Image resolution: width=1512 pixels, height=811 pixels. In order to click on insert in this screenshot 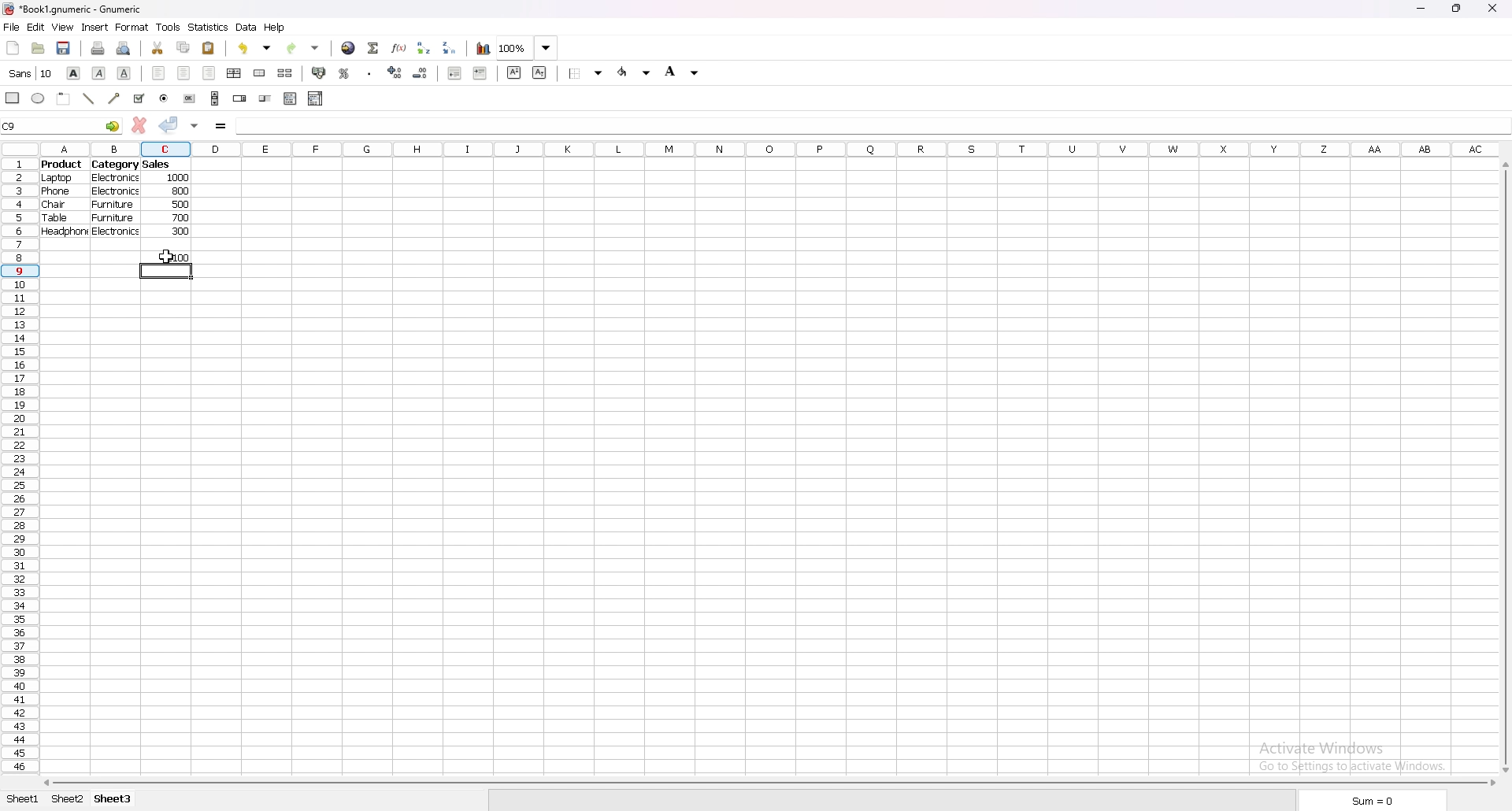, I will do `click(95, 27)`.